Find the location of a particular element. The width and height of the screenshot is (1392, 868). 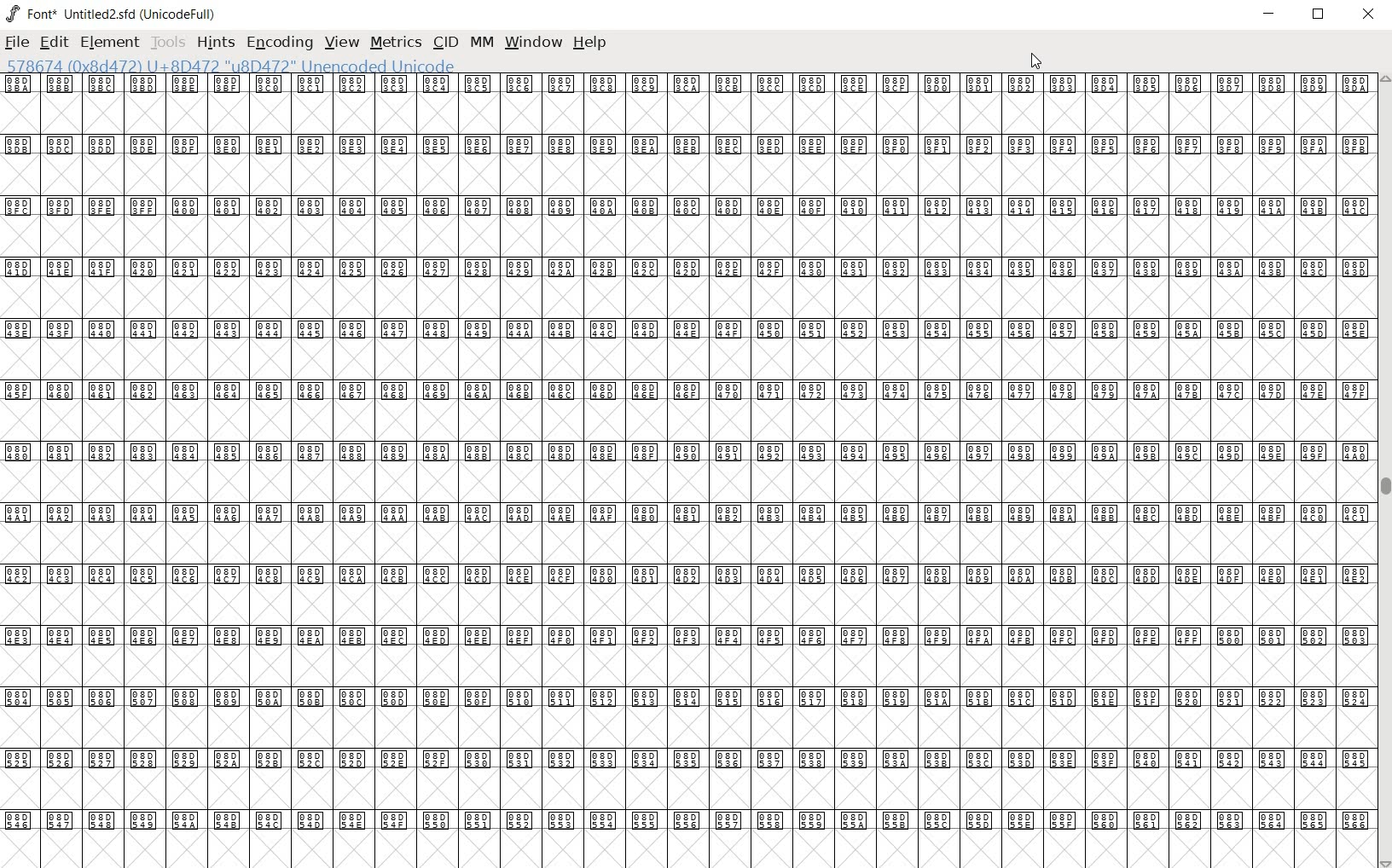

font* Untitled2.sfd (UnicodeFull) is located at coordinates (109, 13).